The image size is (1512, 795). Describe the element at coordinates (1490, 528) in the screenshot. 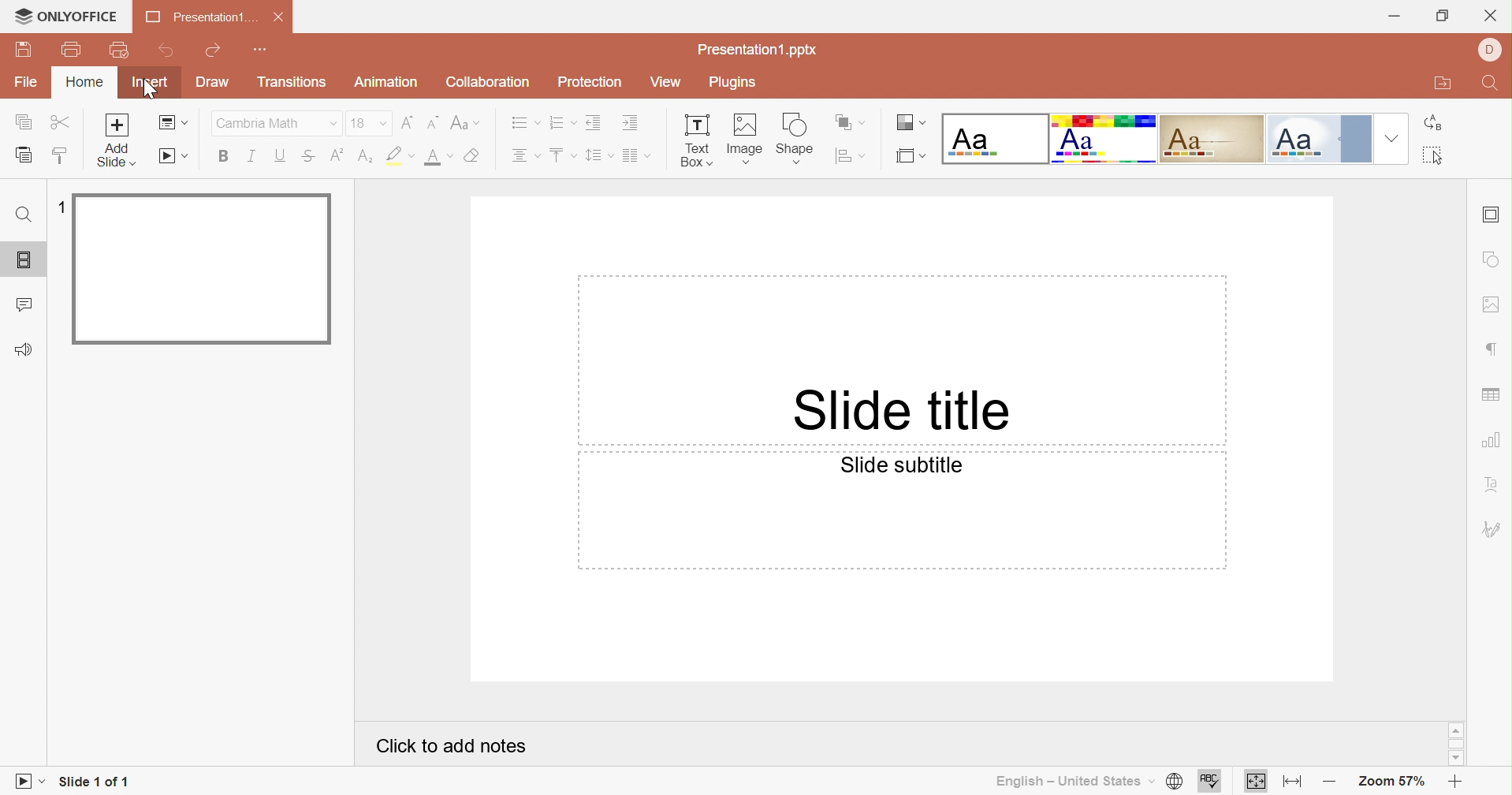

I see `Signature settings` at that location.